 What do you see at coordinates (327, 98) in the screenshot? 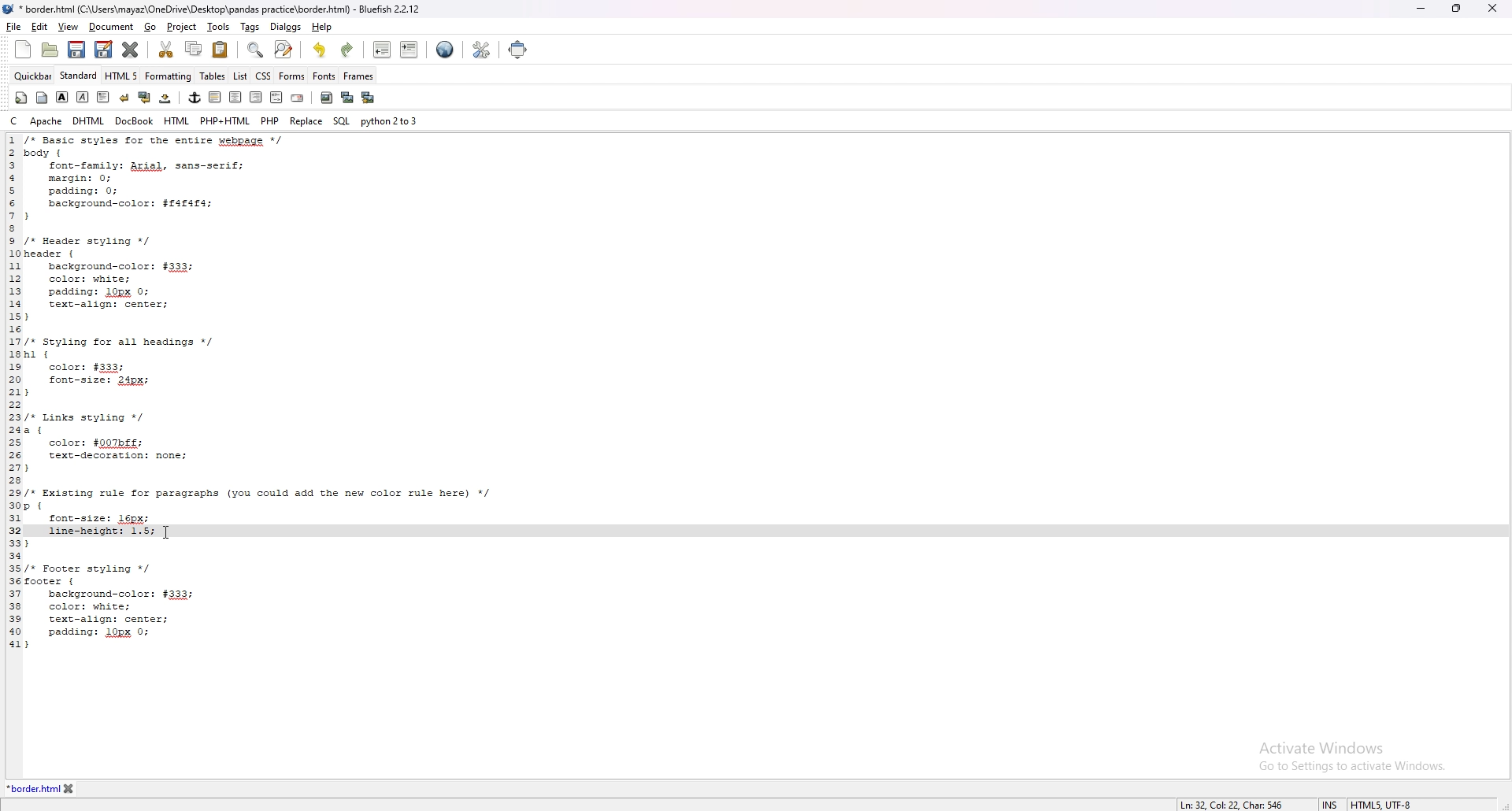
I see `insert image` at bounding box center [327, 98].